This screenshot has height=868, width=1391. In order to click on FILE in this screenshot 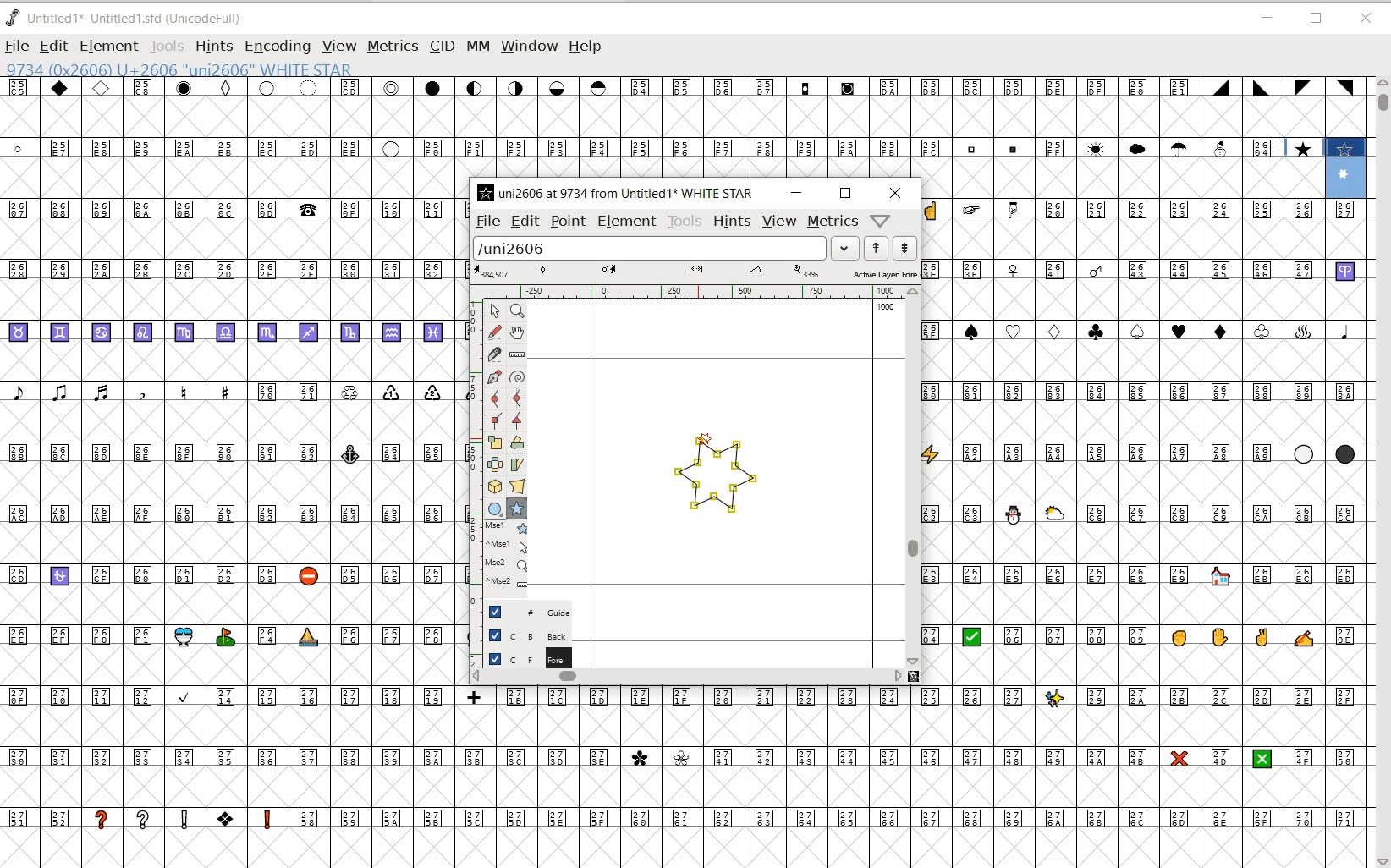, I will do `click(487, 222)`.